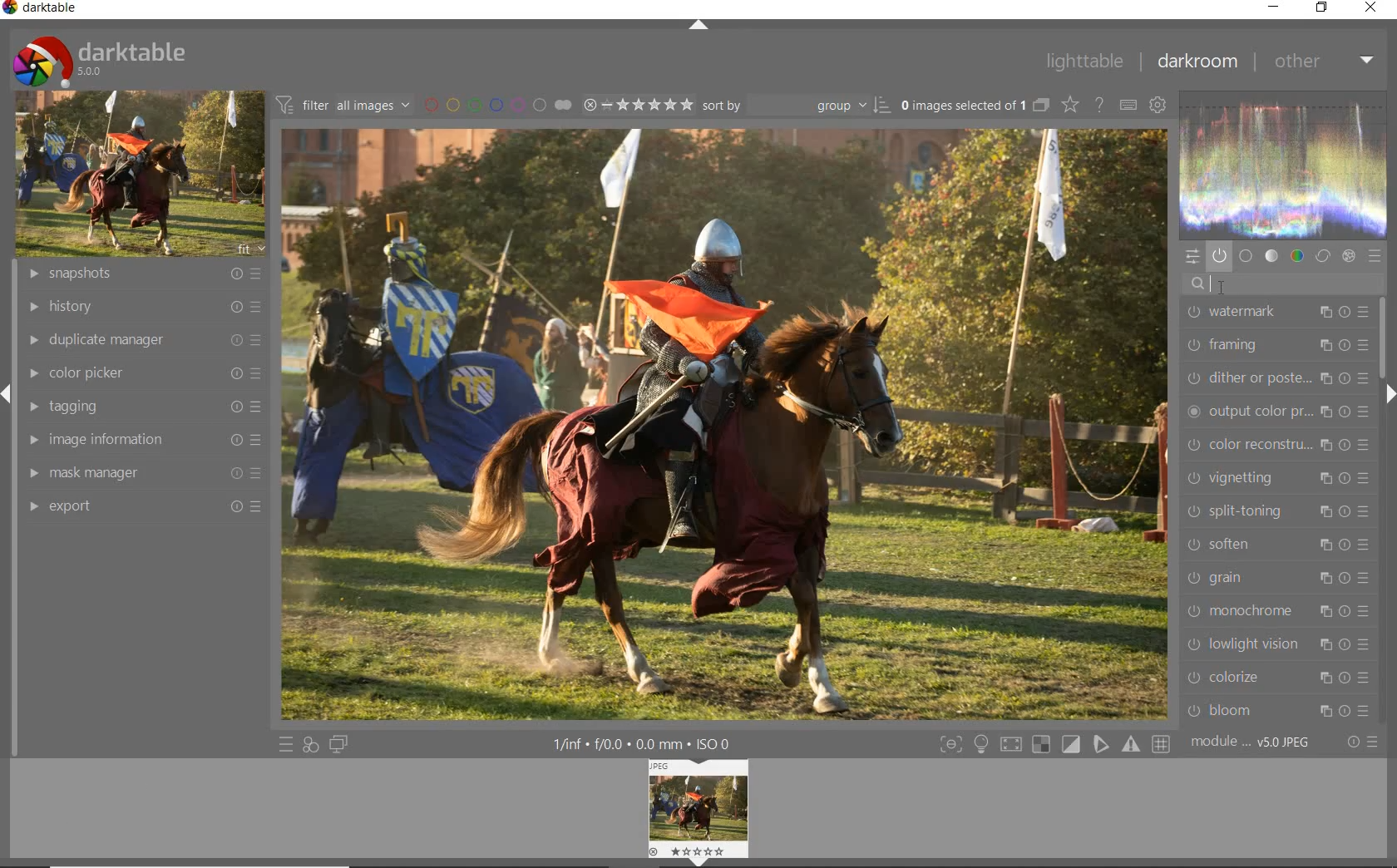 This screenshot has width=1397, height=868. What do you see at coordinates (1084, 62) in the screenshot?
I see `lighttable` at bounding box center [1084, 62].